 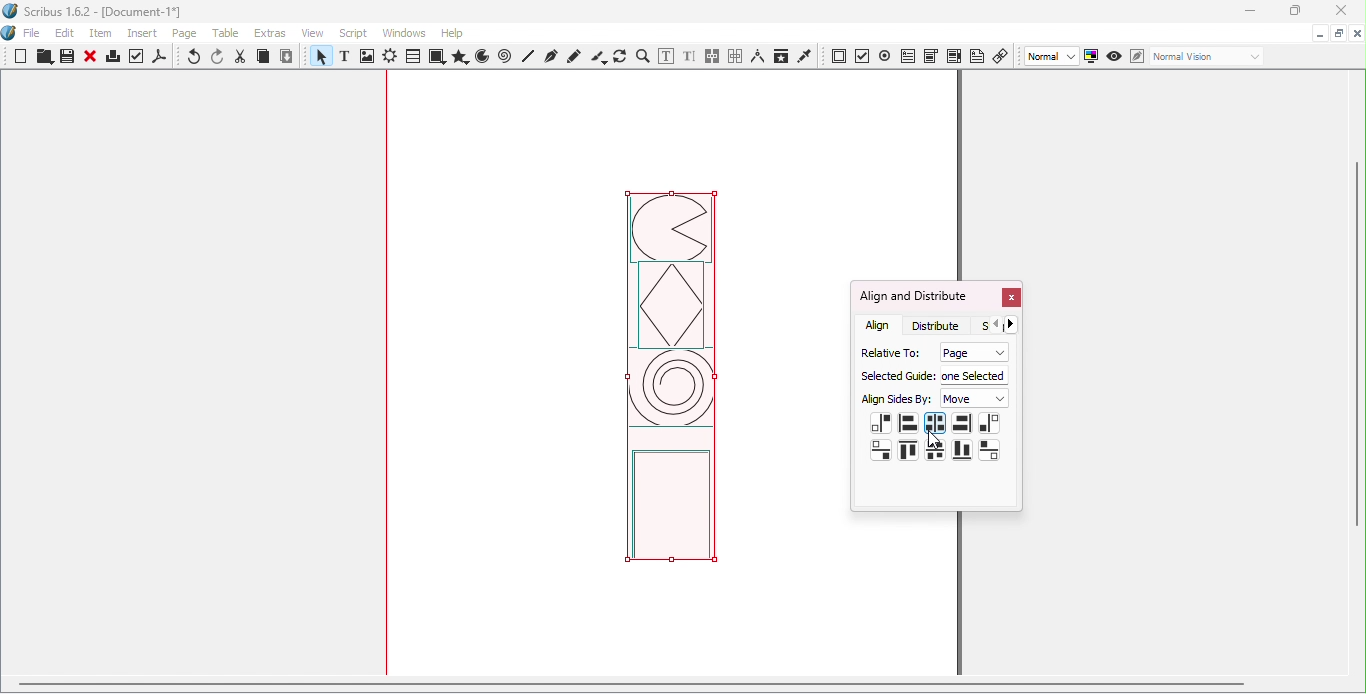 I want to click on PDF push button, so click(x=839, y=57).